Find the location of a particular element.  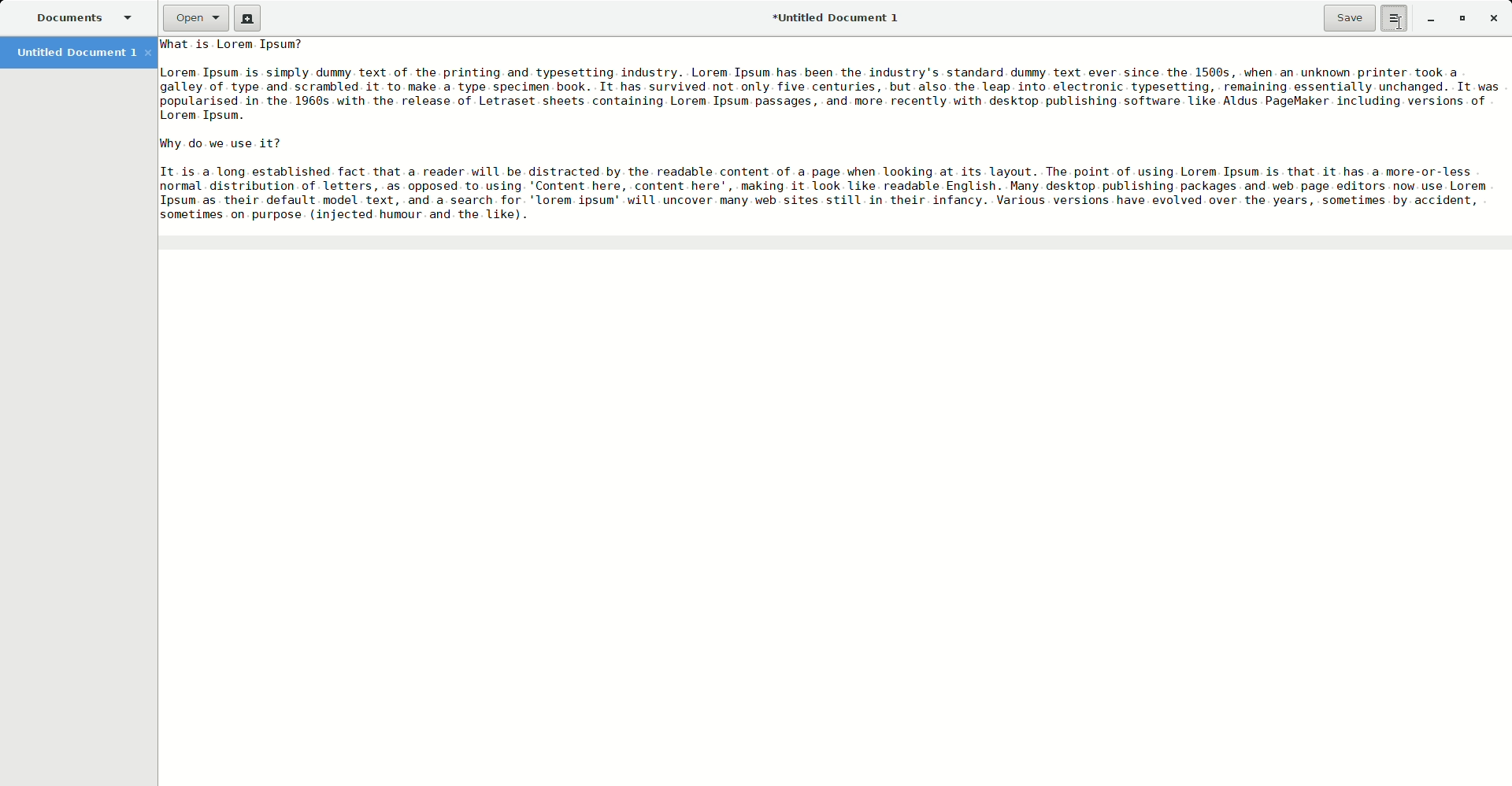

Close is located at coordinates (1493, 17).